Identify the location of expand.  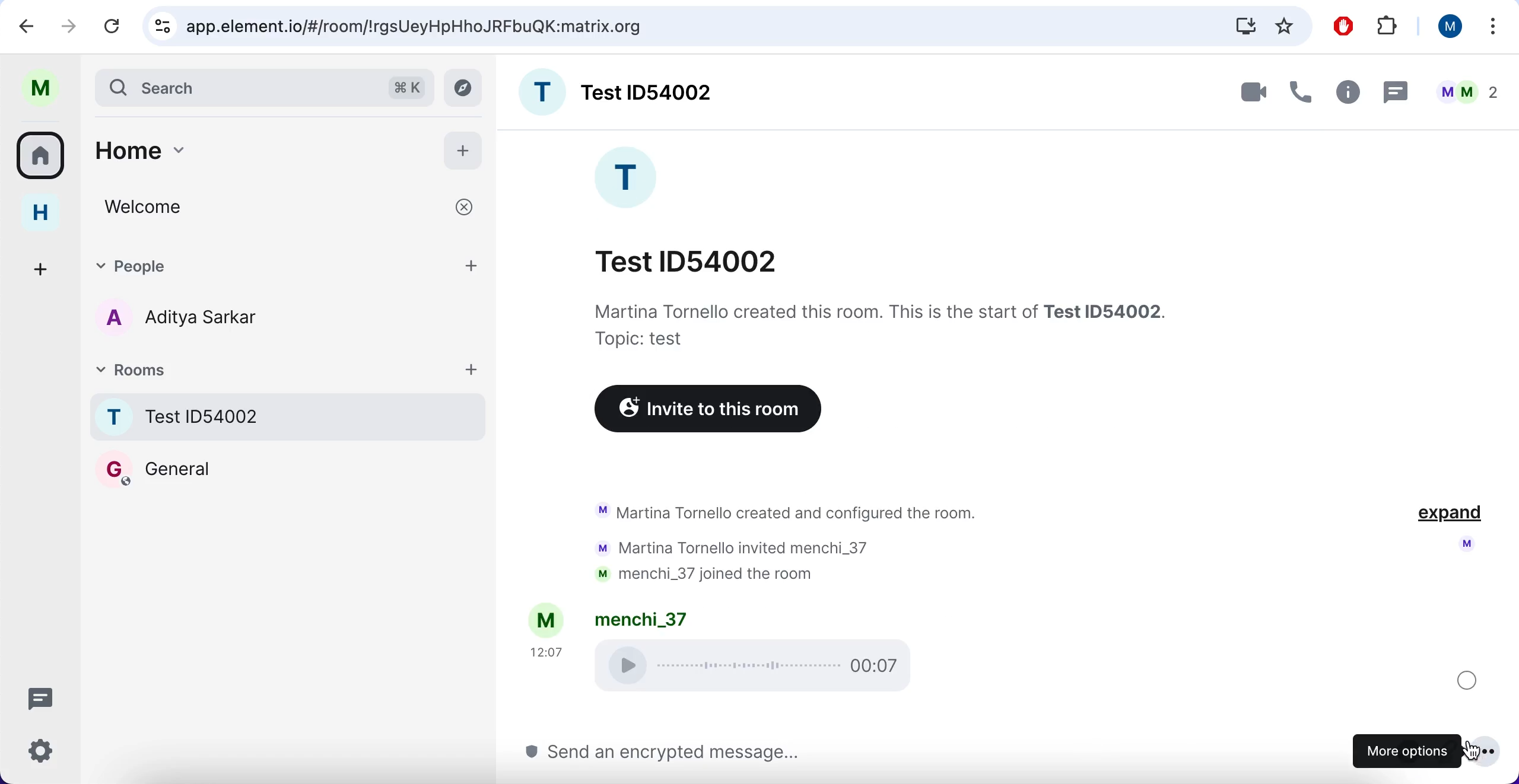
(1449, 517).